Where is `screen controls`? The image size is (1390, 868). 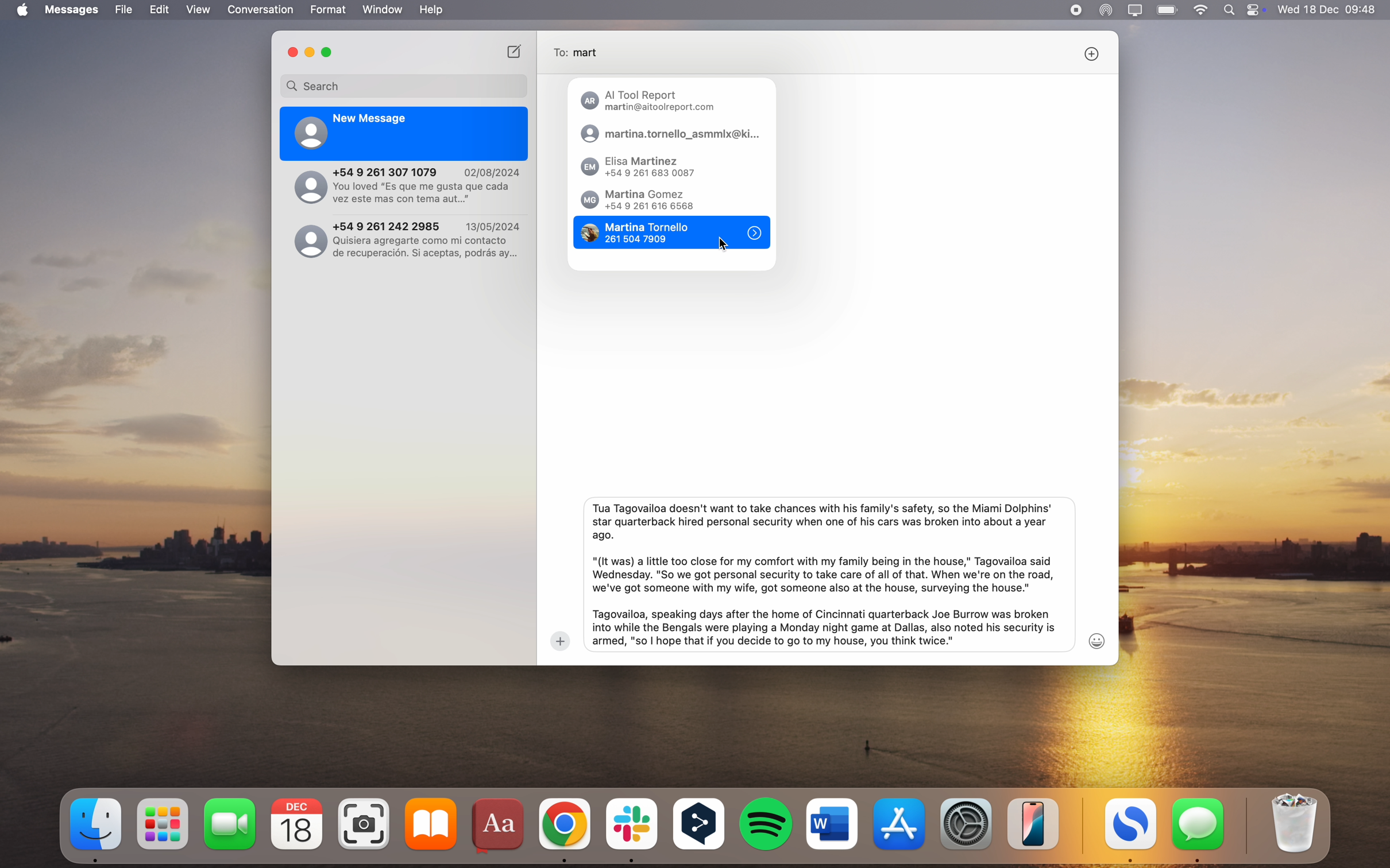
screen controls is located at coordinates (1258, 10).